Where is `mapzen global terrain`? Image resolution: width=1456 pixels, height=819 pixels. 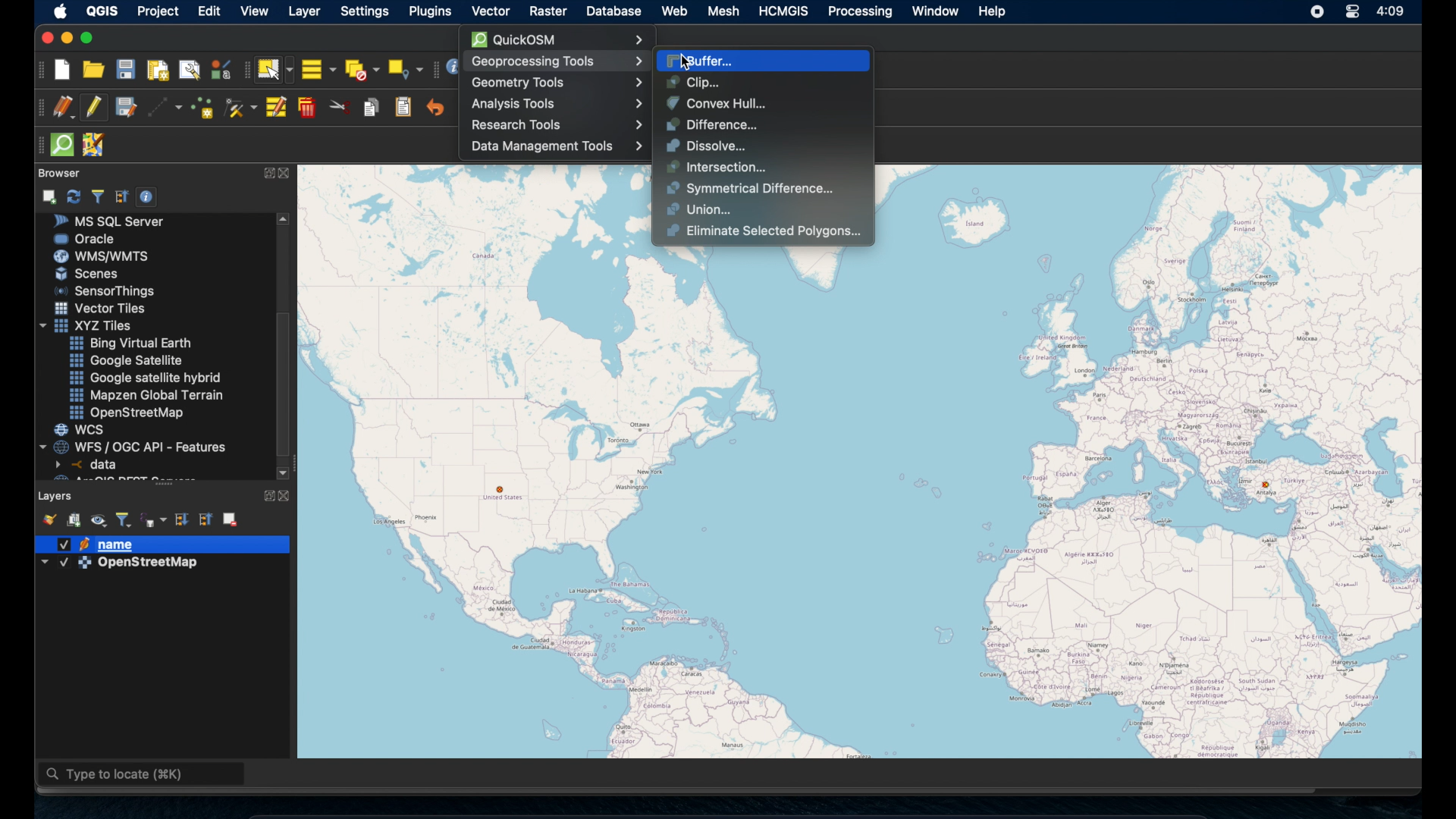 mapzen global terrain is located at coordinates (147, 394).